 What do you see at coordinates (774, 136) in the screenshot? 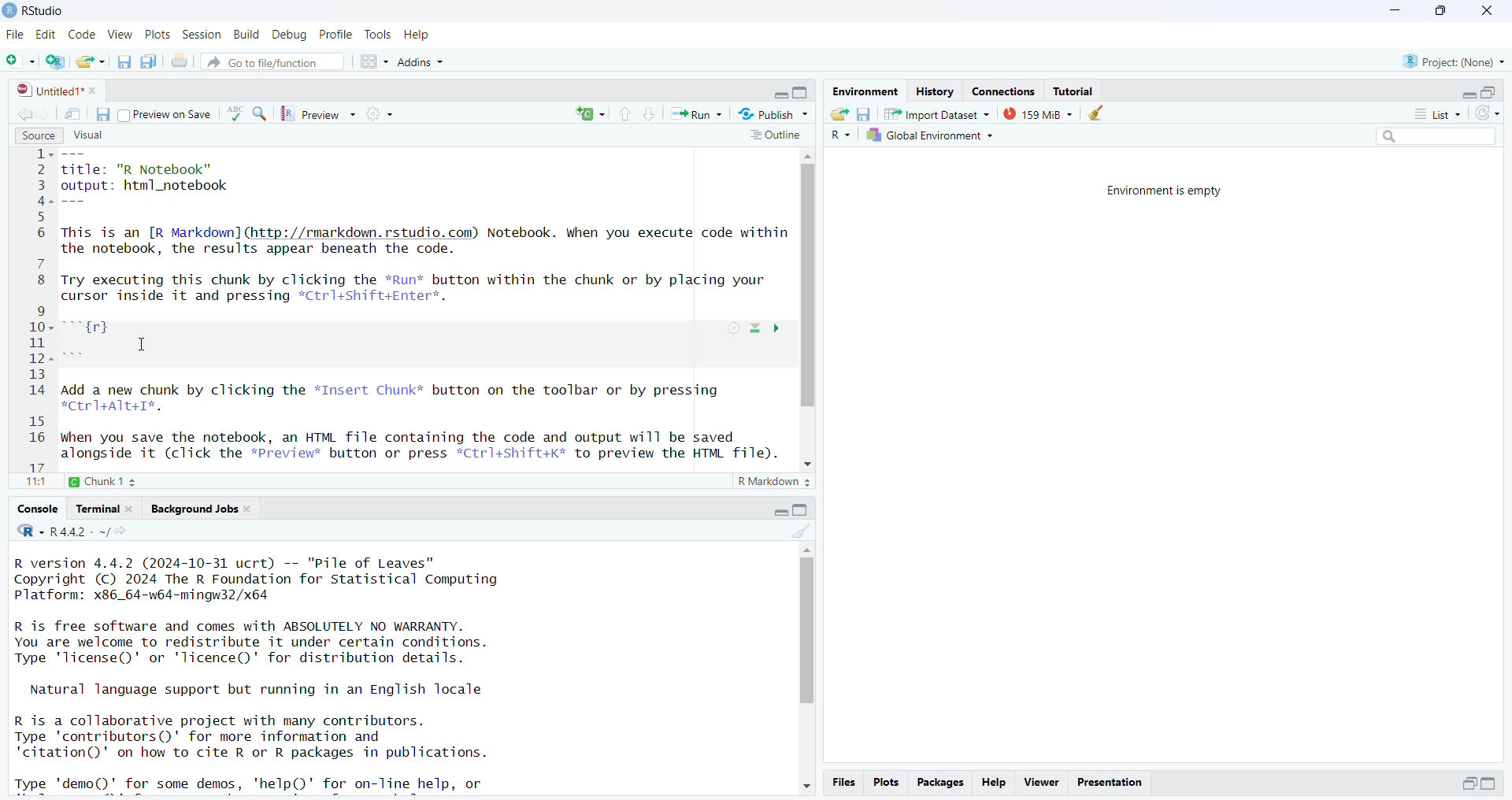
I see `outline` at bounding box center [774, 136].